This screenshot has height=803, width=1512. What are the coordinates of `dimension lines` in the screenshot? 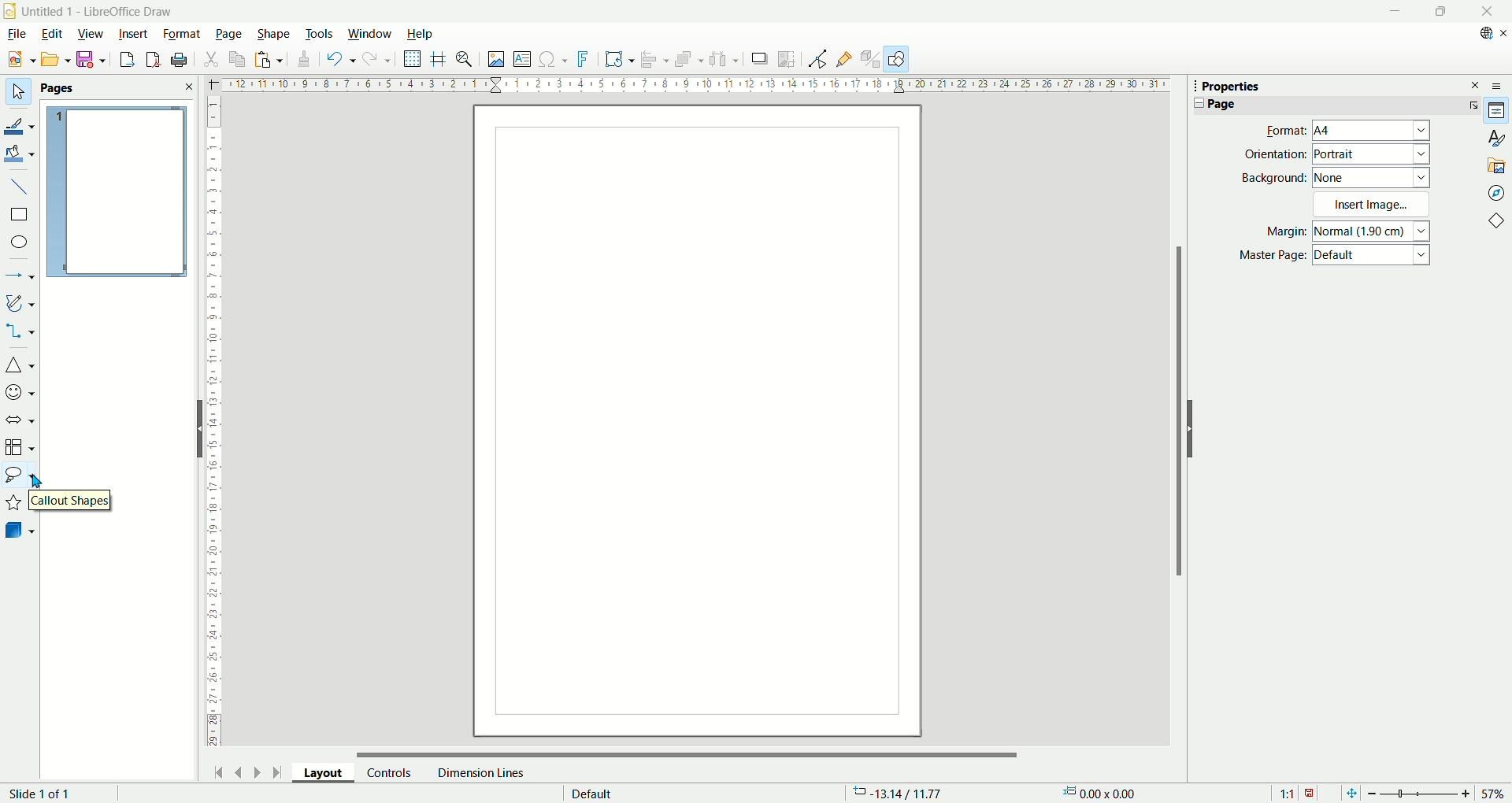 It's located at (480, 772).